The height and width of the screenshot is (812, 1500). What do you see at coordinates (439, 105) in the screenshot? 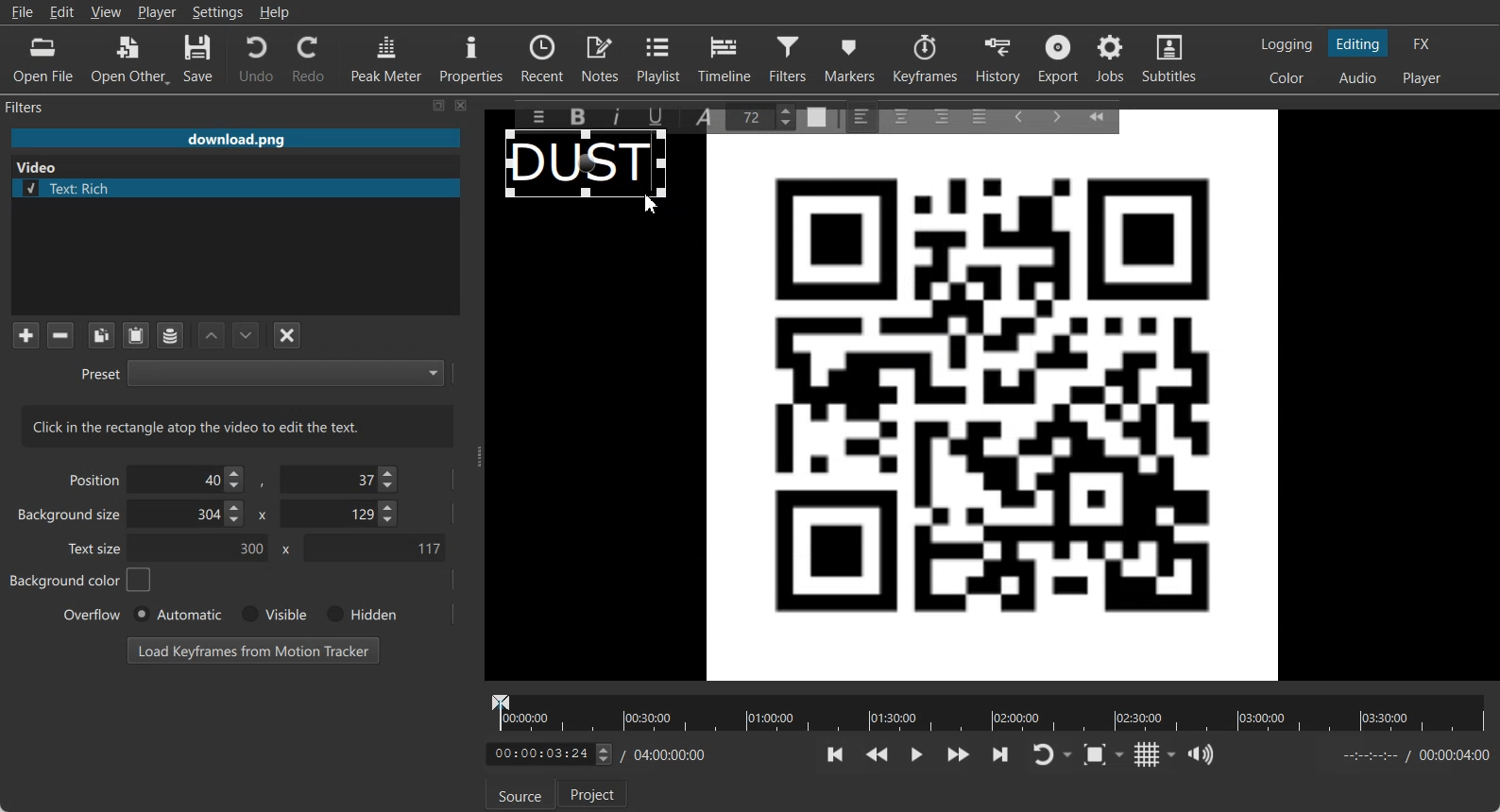
I see `Maximize` at bounding box center [439, 105].